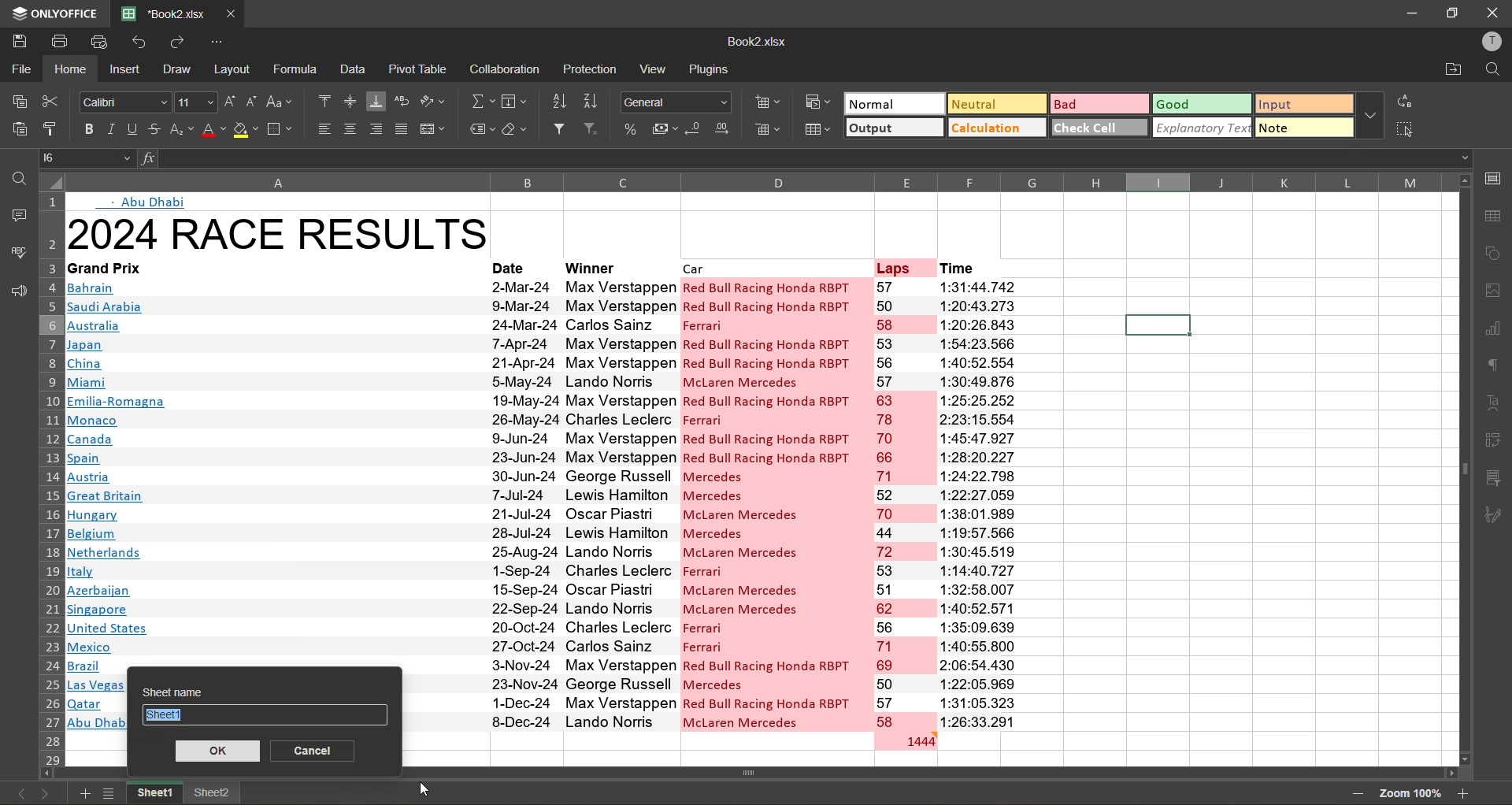 The width and height of the screenshot is (1512, 805). What do you see at coordinates (816, 129) in the screenshot?
I see `format as table` at bounding box center [816, 129].